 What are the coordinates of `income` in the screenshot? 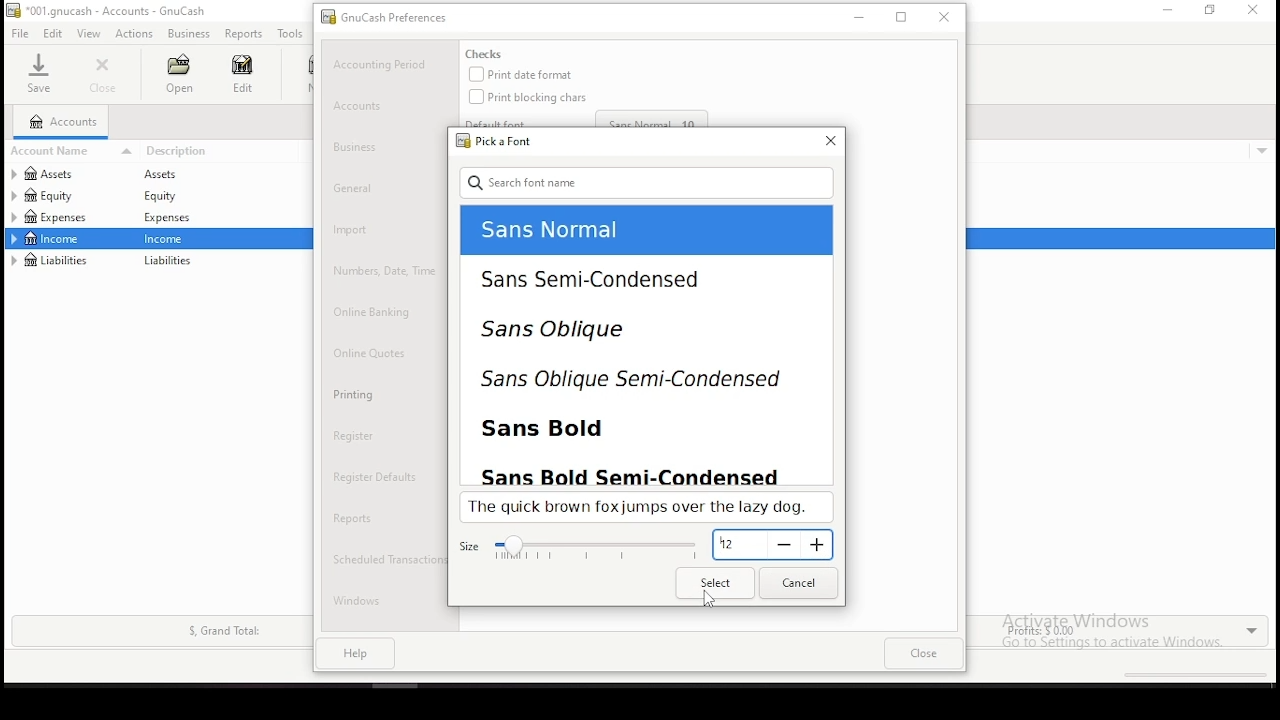 It's located at (54, 238).